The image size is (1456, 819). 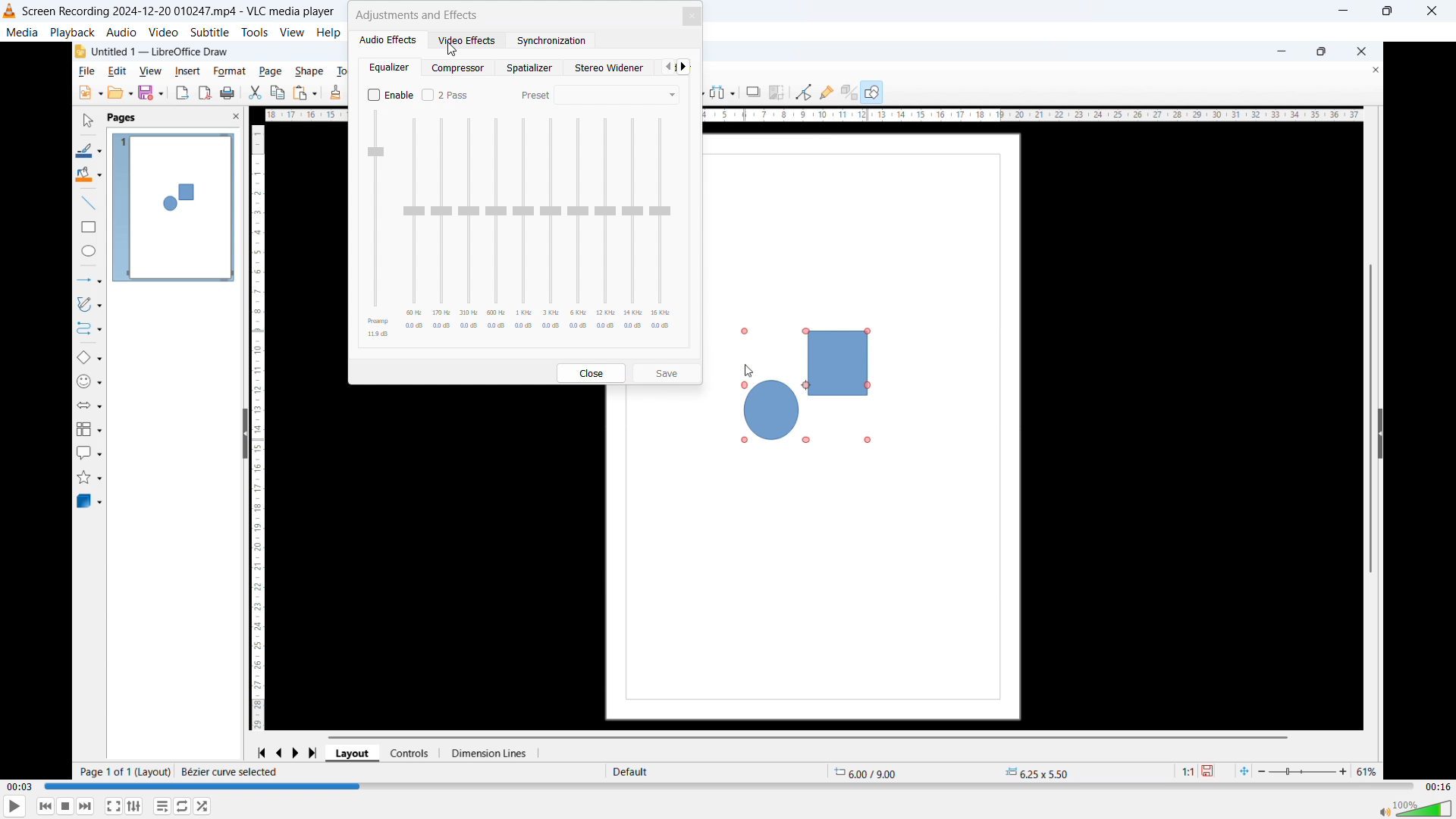 I want to click on minimize, so click(x=1342, y=12).